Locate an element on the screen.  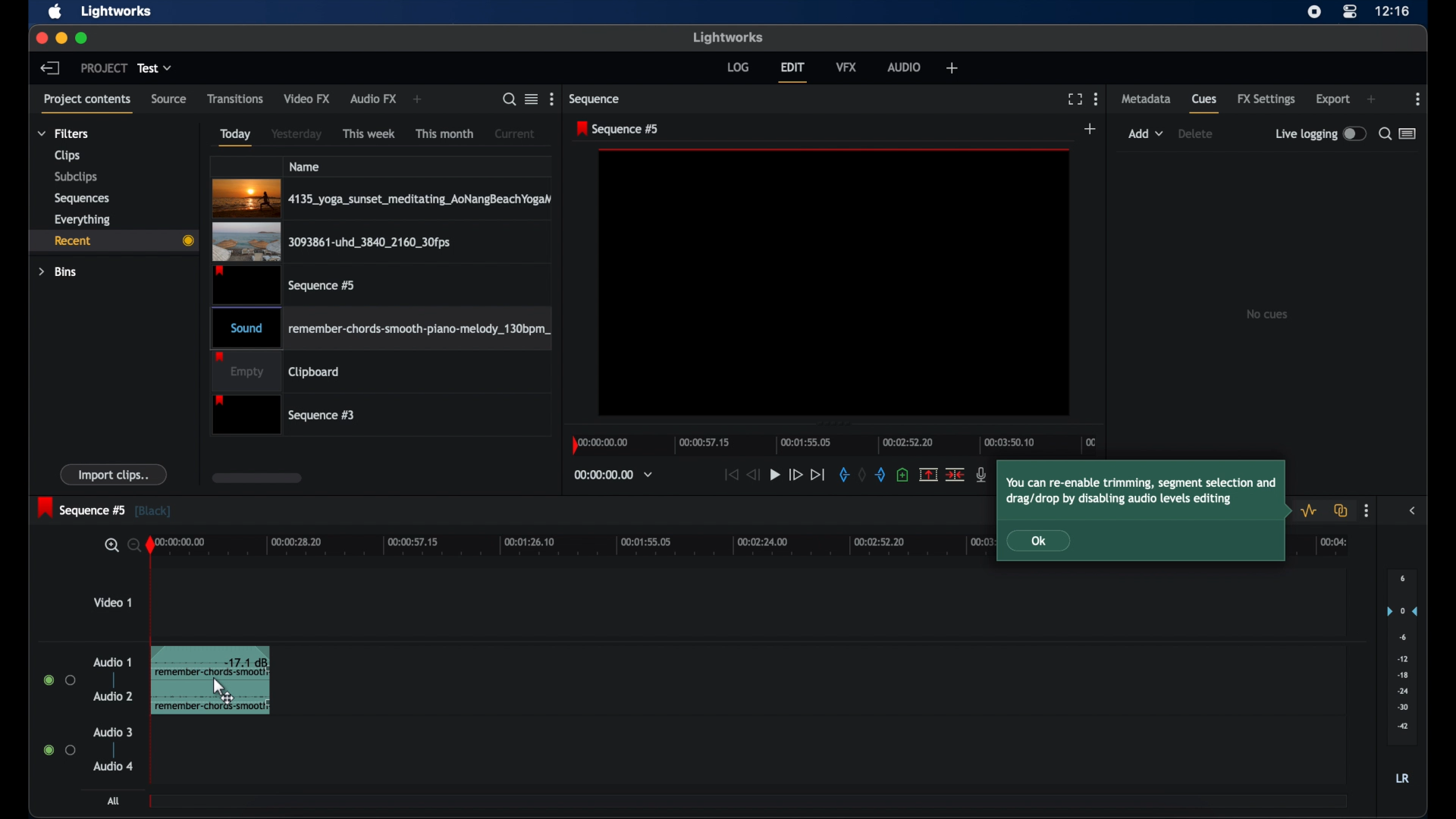
audio is located at coordinates (904, 66).